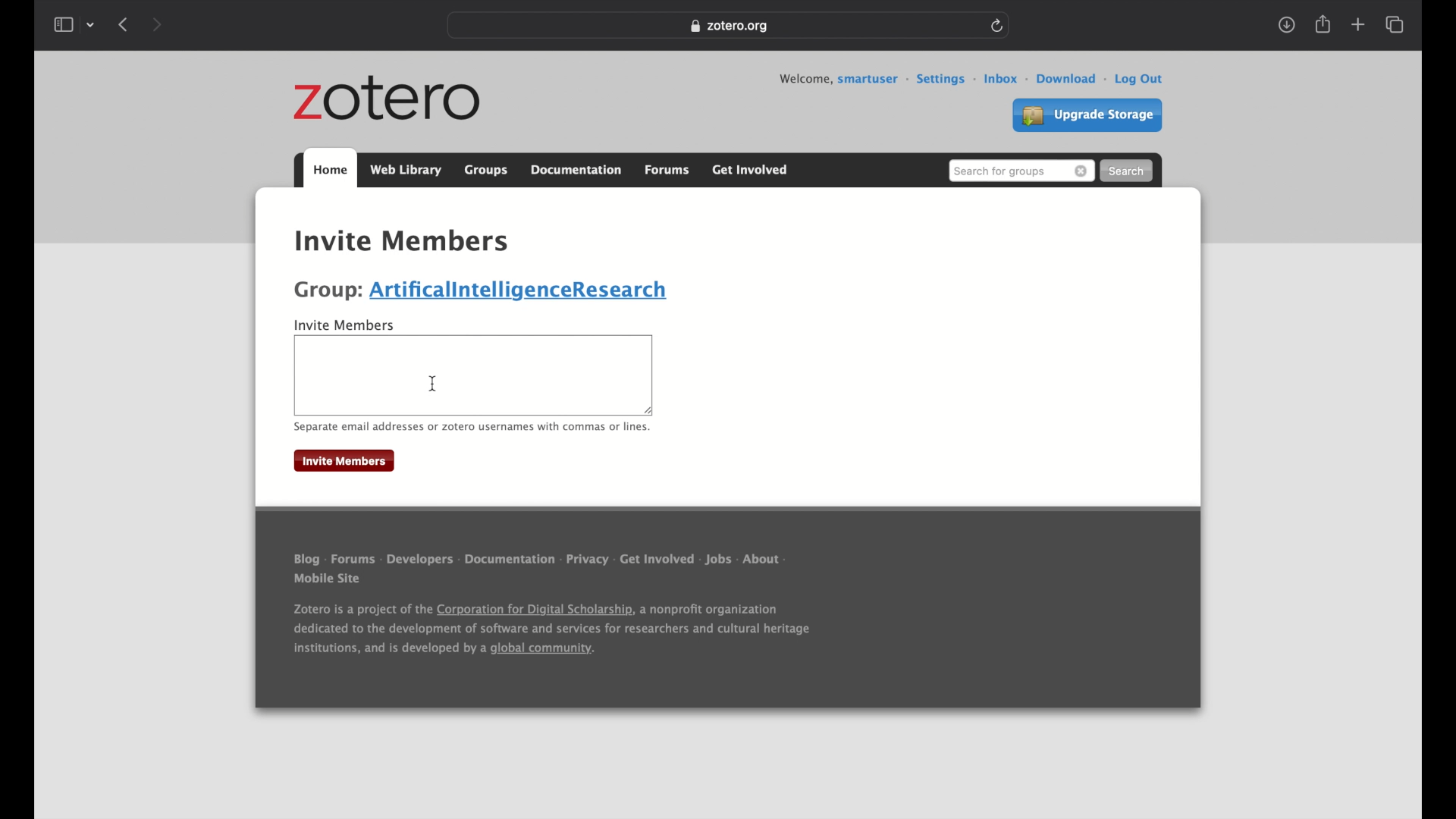  Describe the element at coordinates (1128, 171) in the screenshot. I see `search` at that location.